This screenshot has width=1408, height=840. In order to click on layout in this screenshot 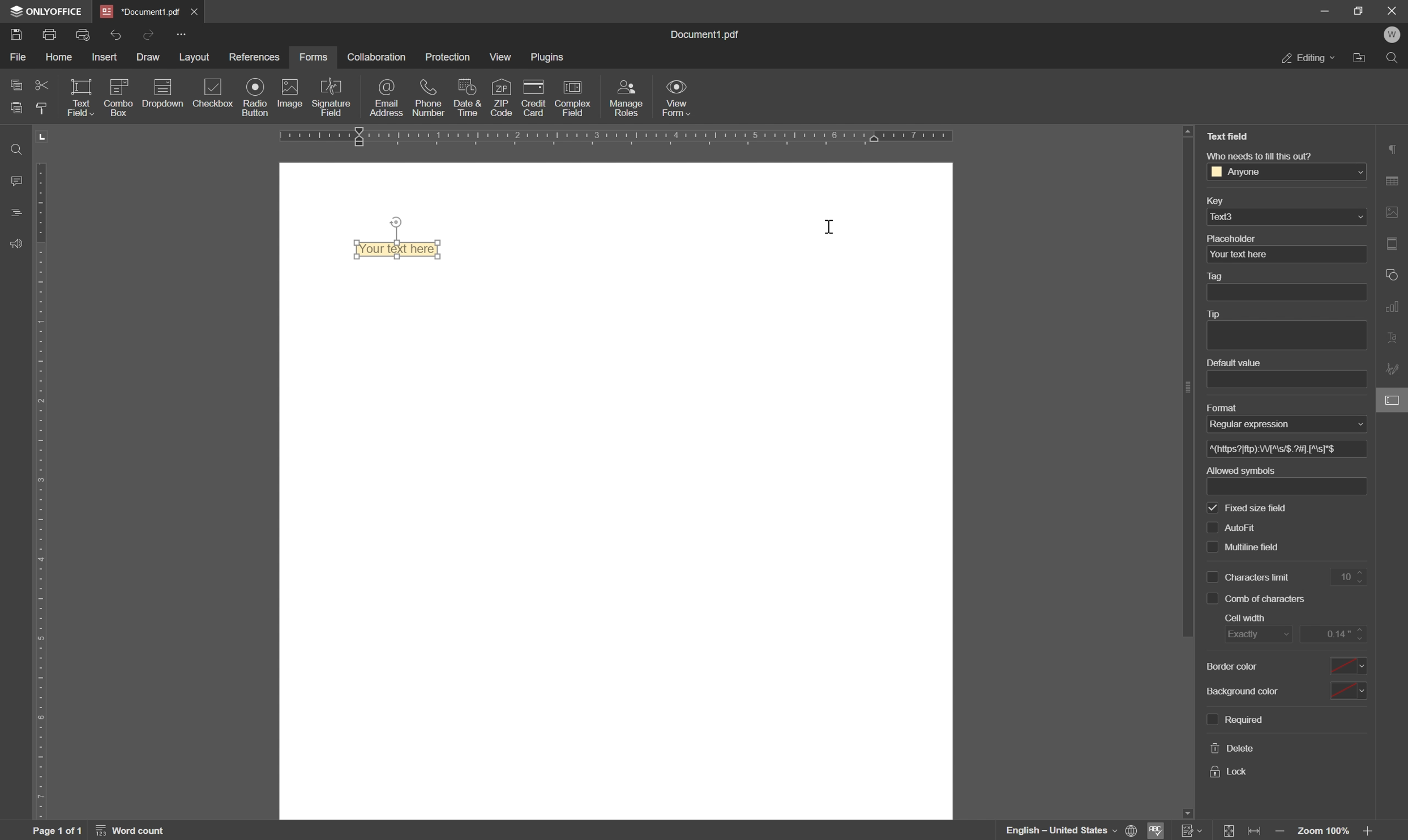, I will do `click(192, 58)`.